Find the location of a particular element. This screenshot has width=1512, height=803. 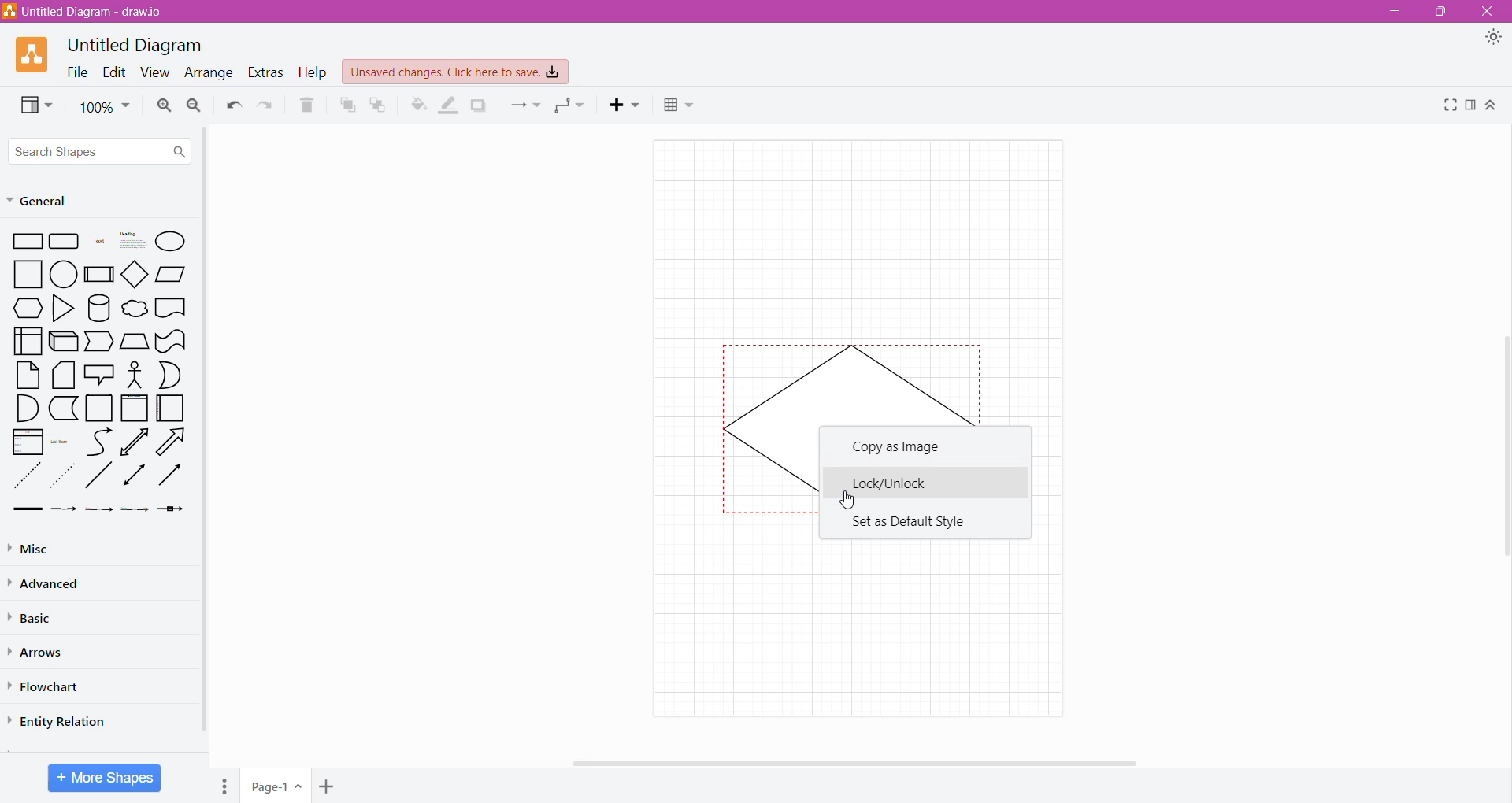

Vertical Scroll Bar is located at coordinates (204, 434).